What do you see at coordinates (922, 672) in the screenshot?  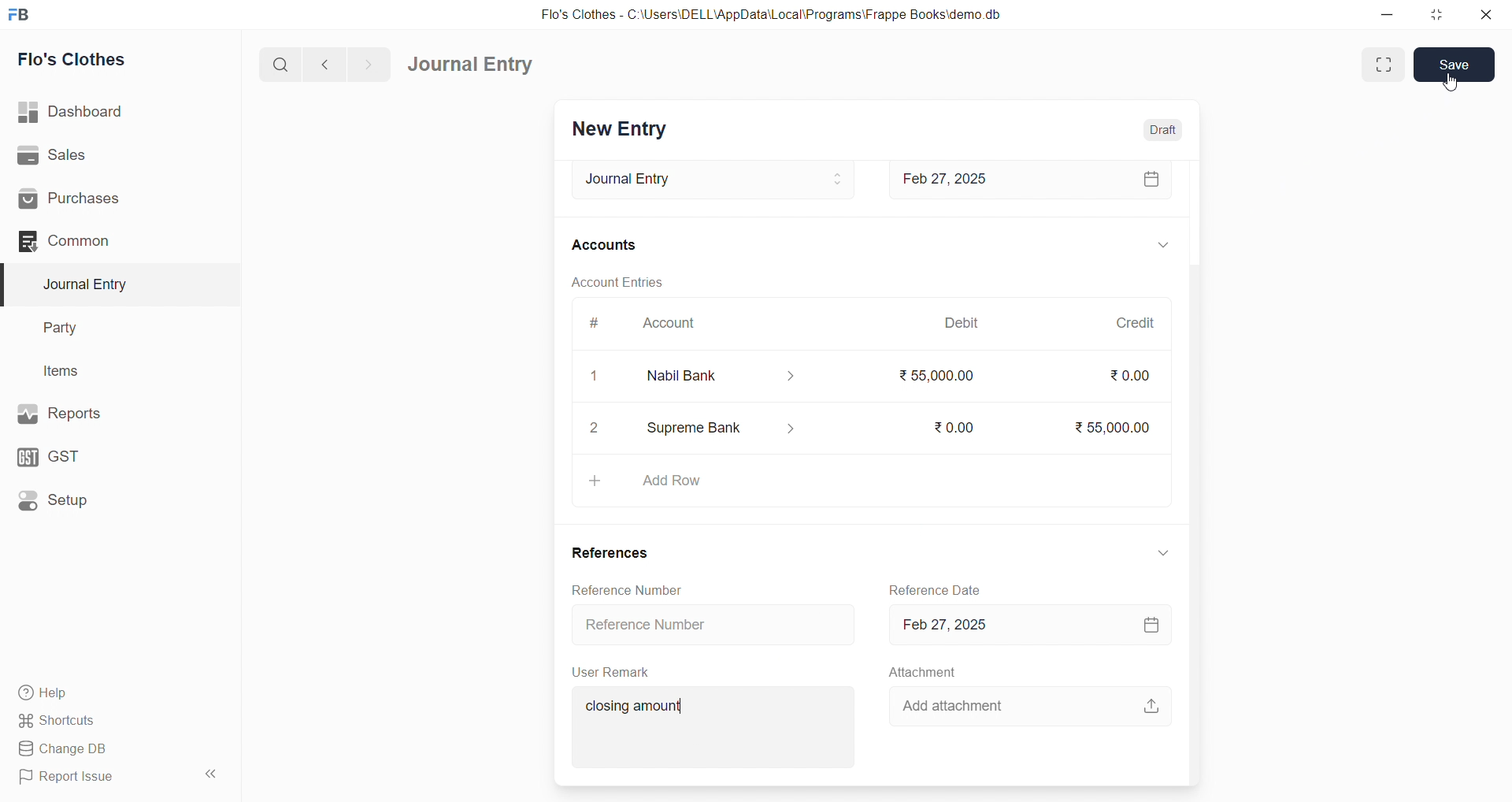 I see `Attachment` at bounding box center [922, 672].